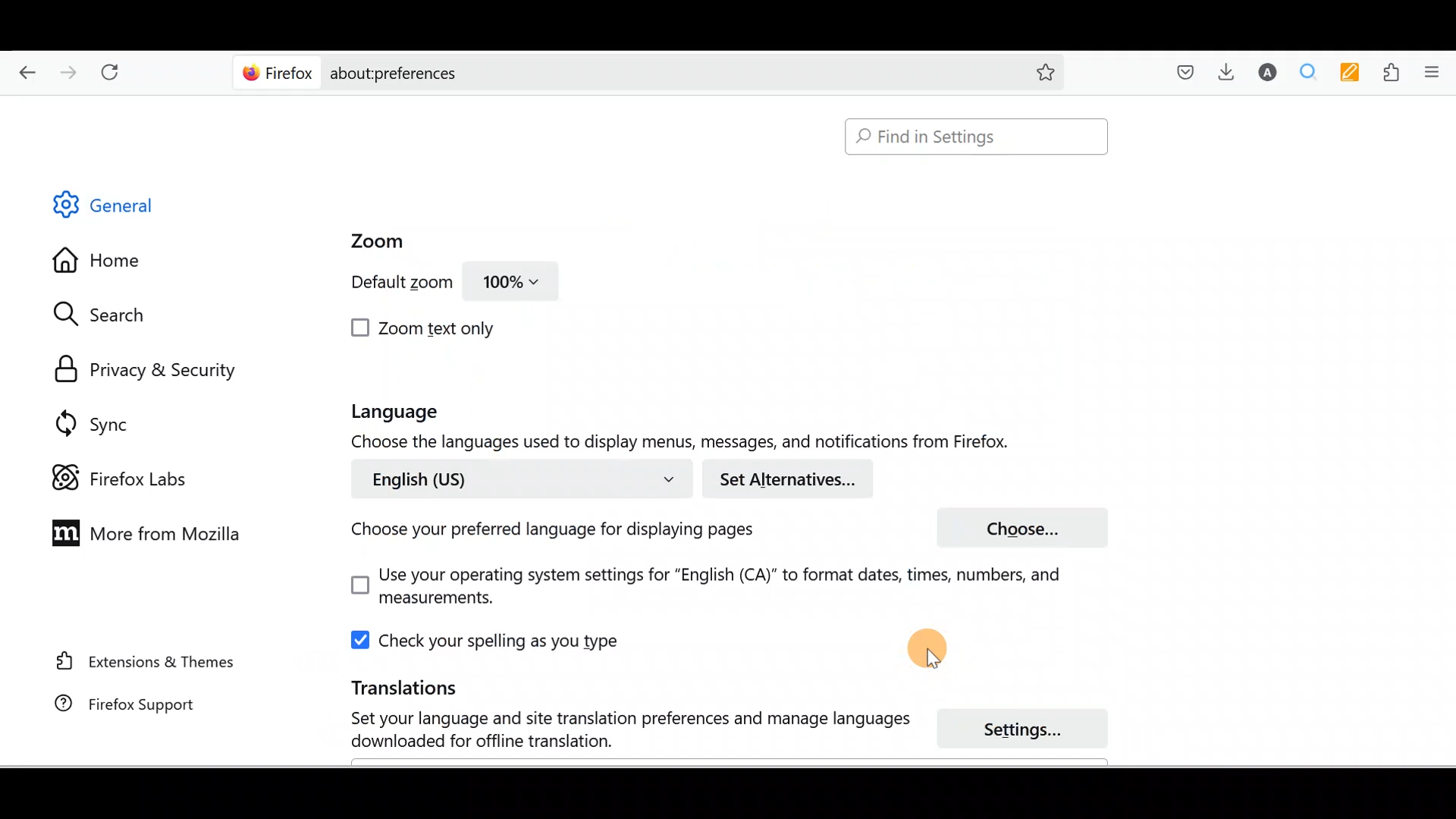  I want to click on Go back one page, so click(21, 68).